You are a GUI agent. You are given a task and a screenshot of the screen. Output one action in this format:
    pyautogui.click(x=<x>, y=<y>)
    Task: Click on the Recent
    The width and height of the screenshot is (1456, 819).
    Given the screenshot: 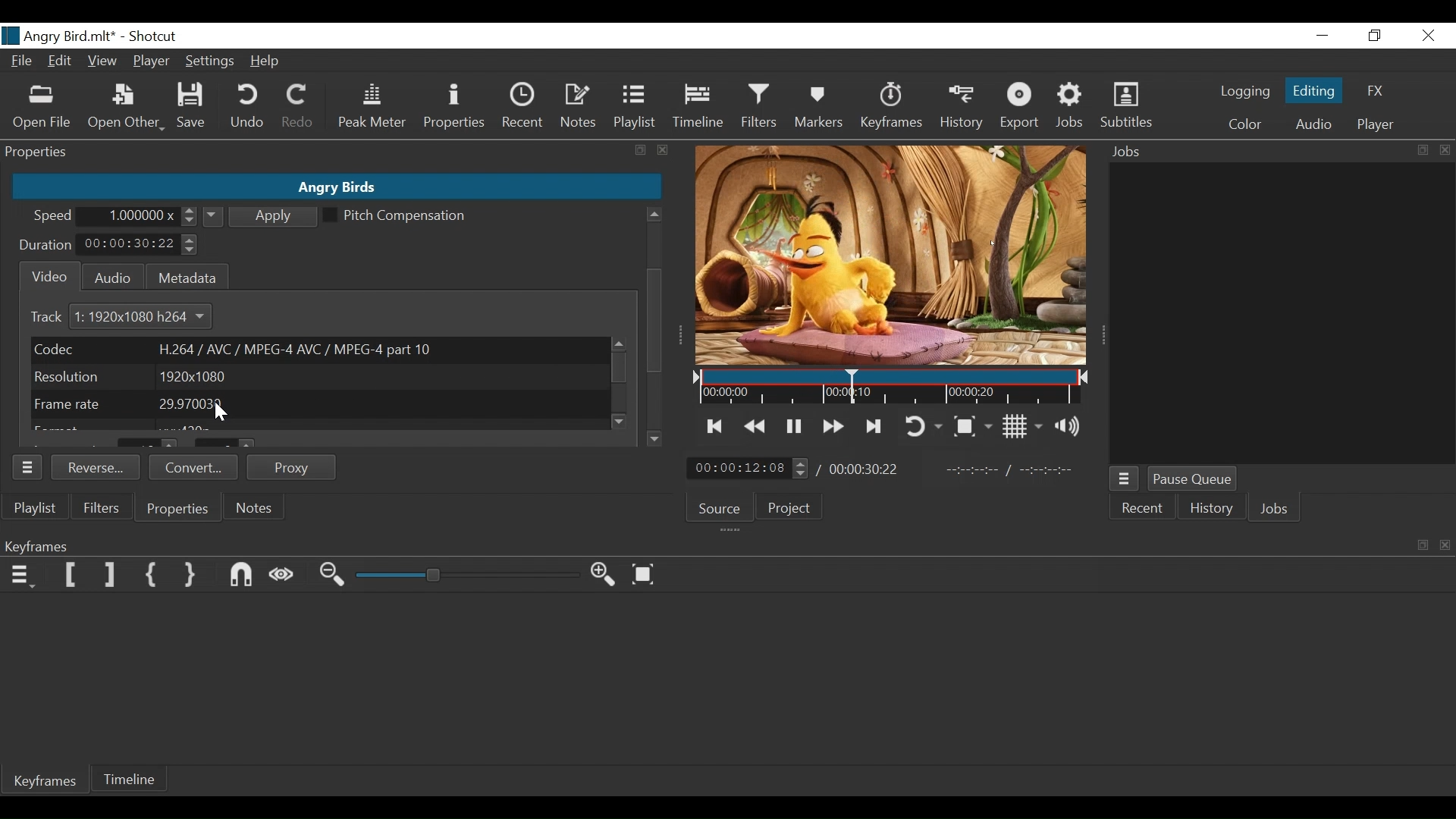 What is the action you would take?
    pyautogui.click(x=521, y=107)
    